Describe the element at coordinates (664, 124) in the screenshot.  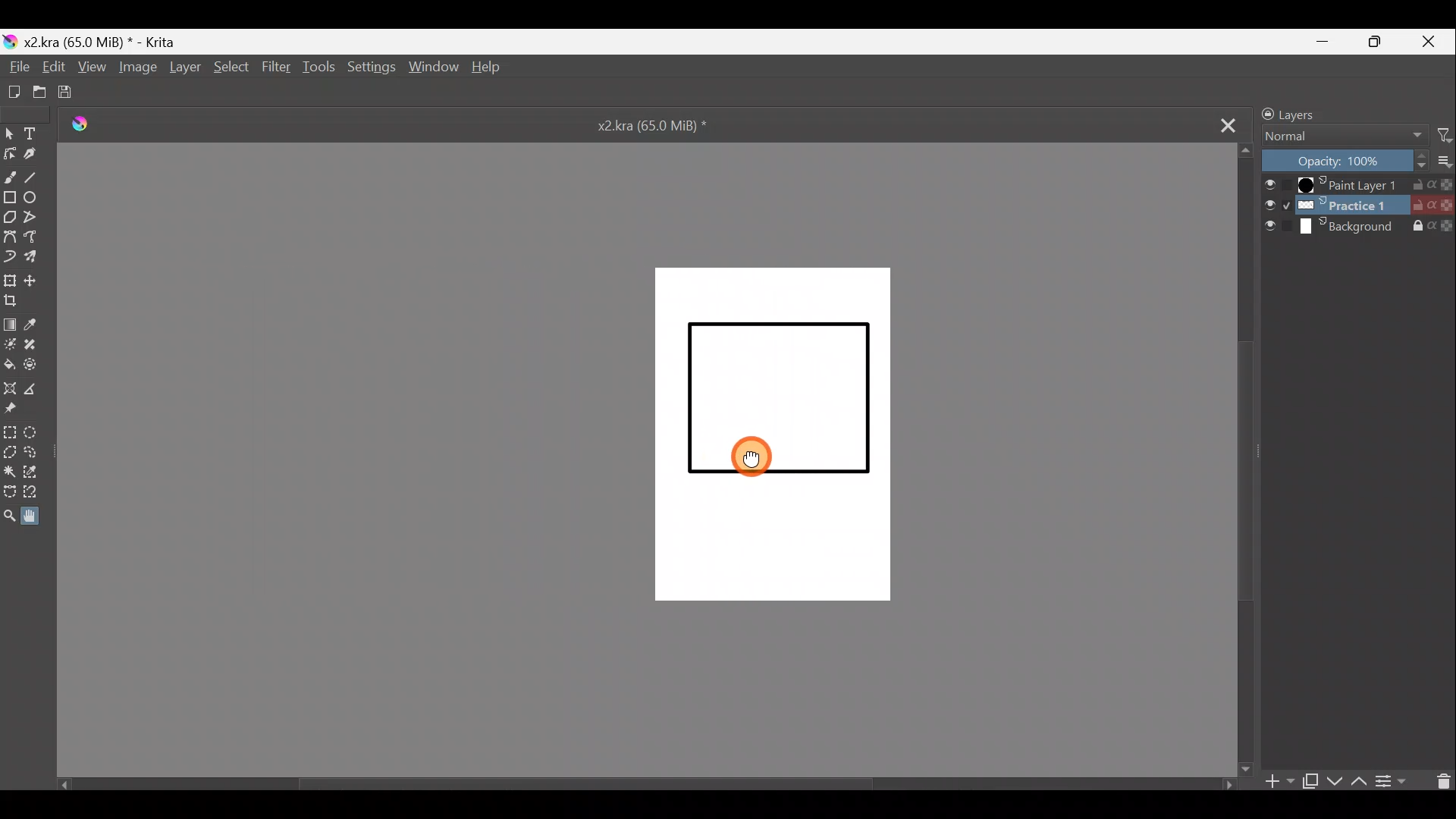
I see `x2.kra (65.0 MiB) *` at that location.